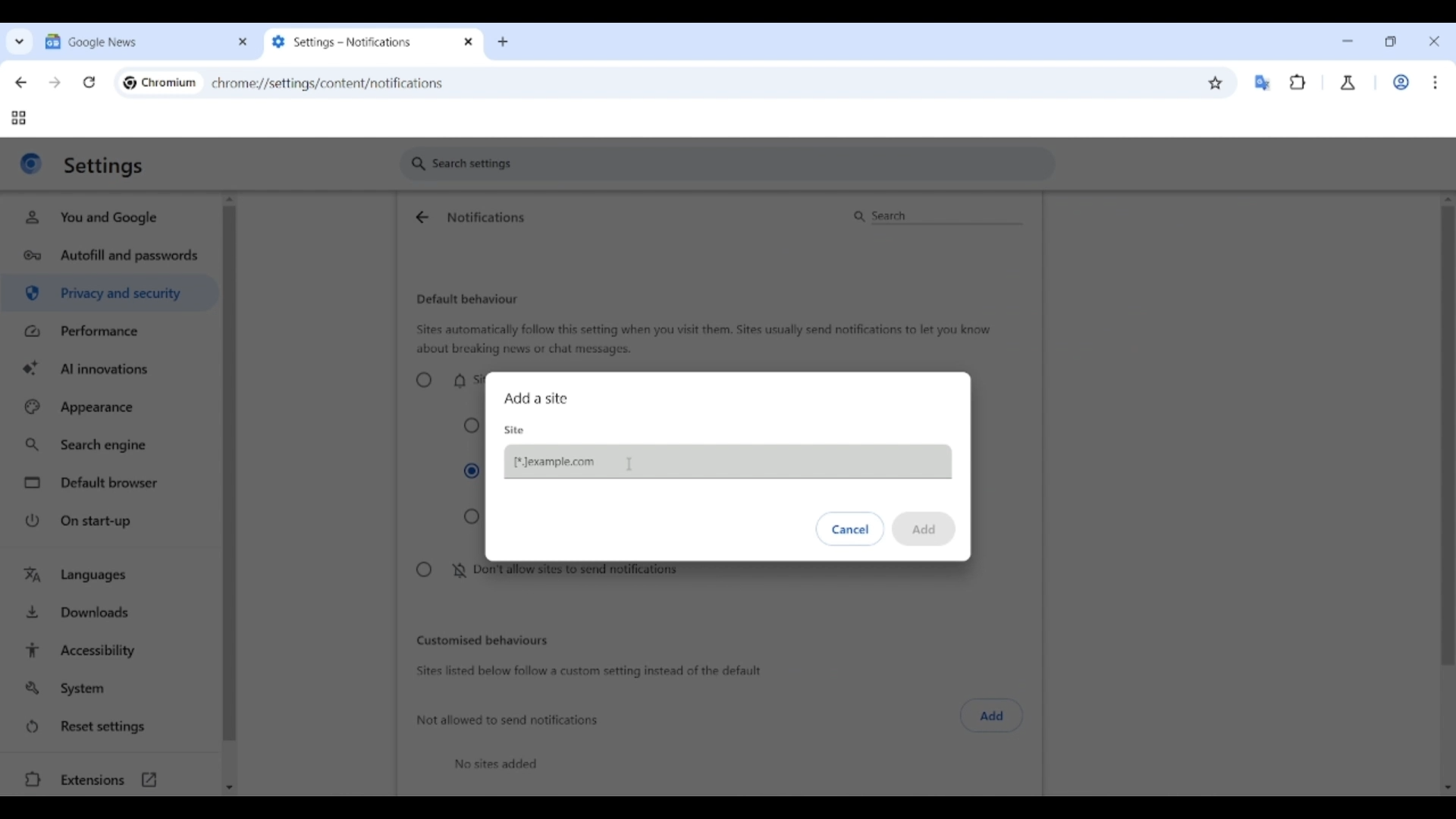 This screenshot has height=819, width=1456. I want to click on Sites automatically follow this setting when you visit them. Sites usually send notifications to let you know
about breaking news or chat messages., so click(704, 340).